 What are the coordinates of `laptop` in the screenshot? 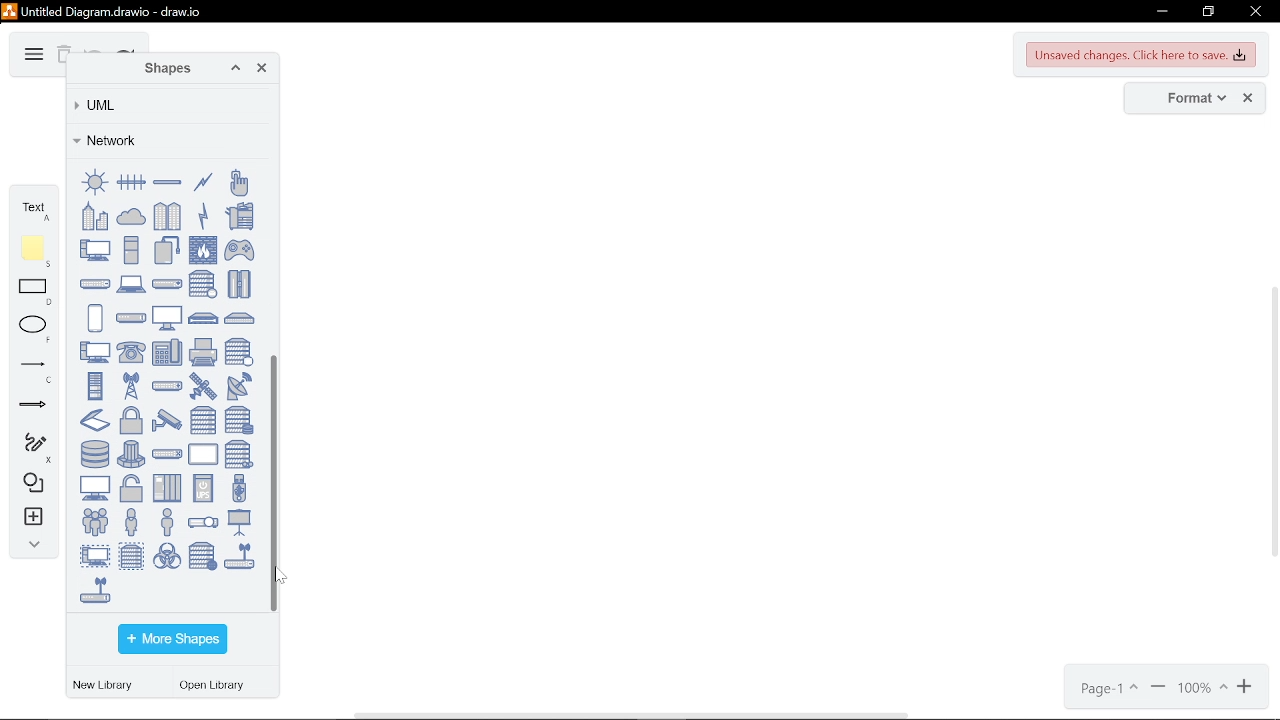 It's located at (131, 284).